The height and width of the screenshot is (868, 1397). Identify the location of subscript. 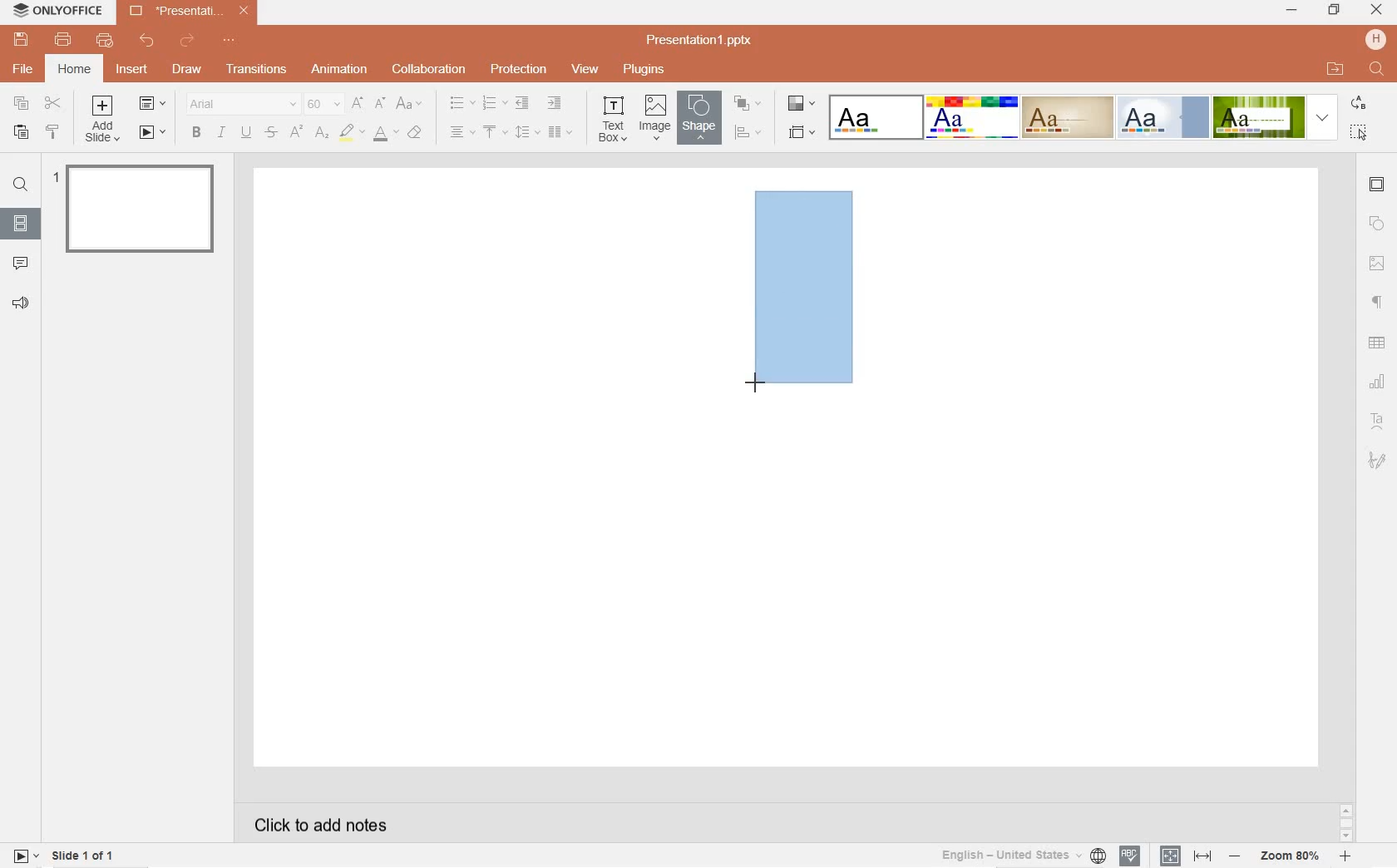
(323, 133).